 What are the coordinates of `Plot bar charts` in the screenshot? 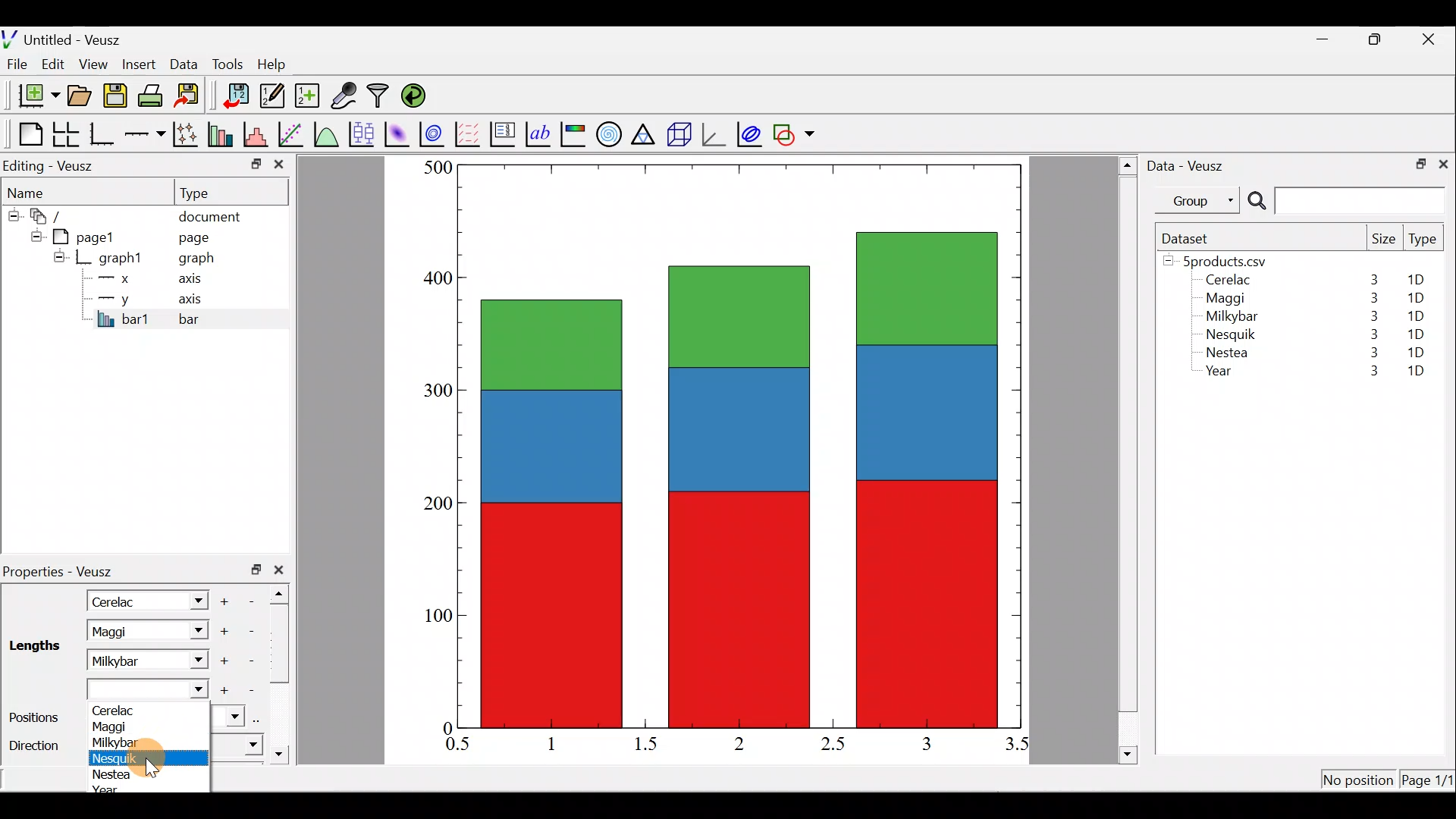 It's located at (222, 133).